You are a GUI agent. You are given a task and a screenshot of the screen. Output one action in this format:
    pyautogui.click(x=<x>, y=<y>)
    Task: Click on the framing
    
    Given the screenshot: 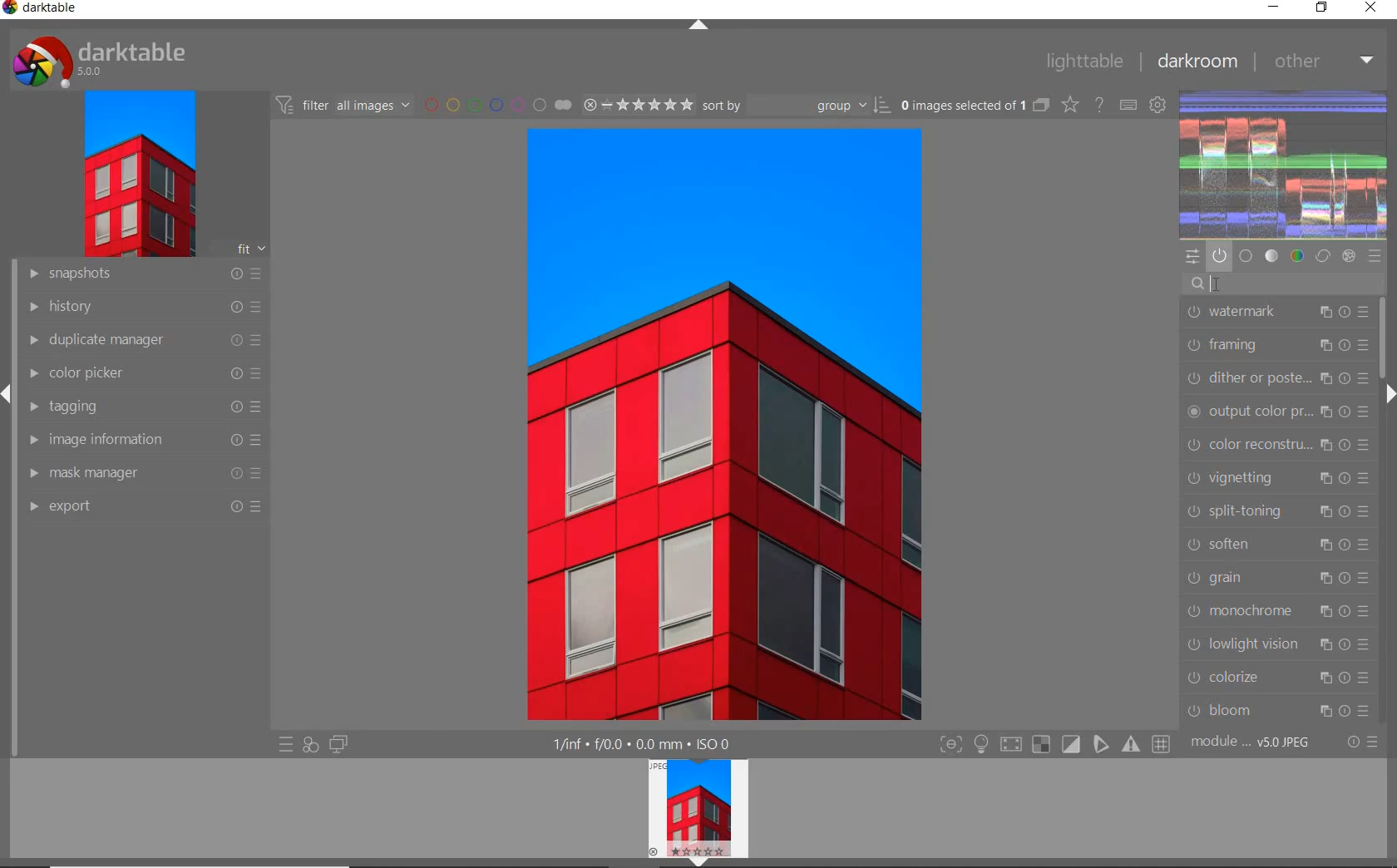 What is the action you would take?
    pyautogui.click(x=1276, y=344)
    